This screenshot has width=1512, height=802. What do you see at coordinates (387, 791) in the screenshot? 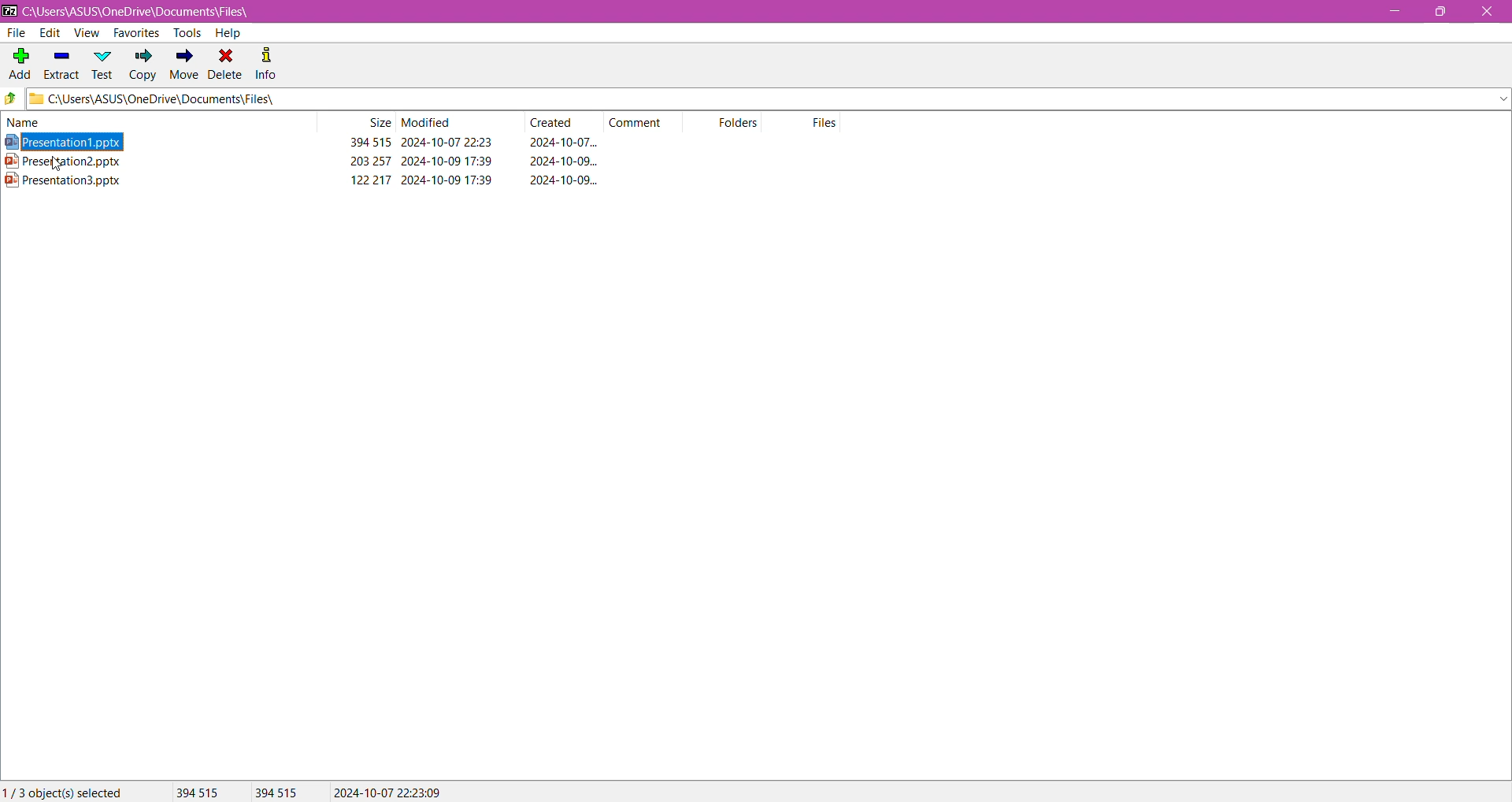
I see `2024-10-07 22:23:09` at bounding box center [387, 791].